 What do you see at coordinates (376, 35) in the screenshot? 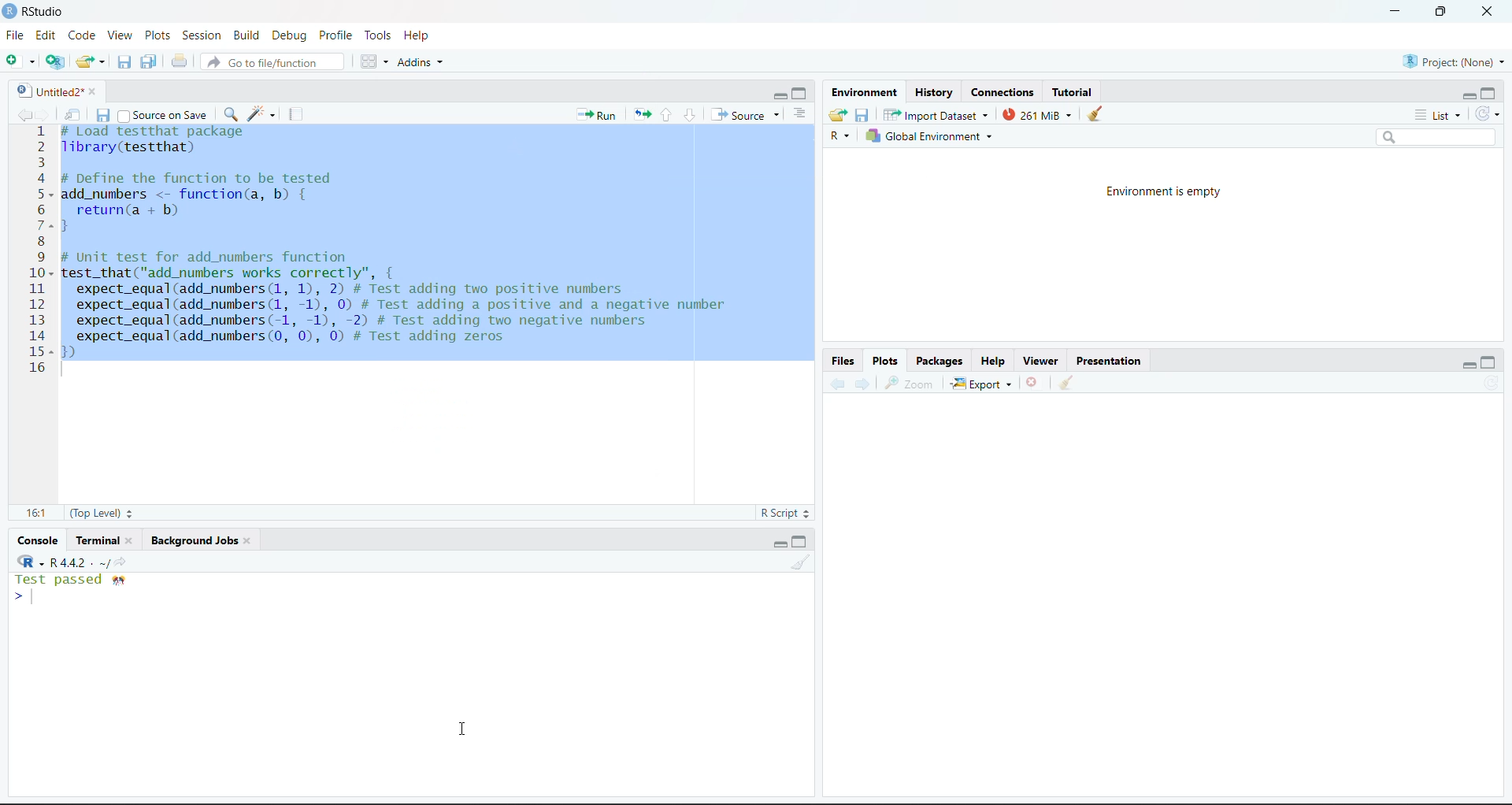
I see `Tools` at bounding box center [376, 35].